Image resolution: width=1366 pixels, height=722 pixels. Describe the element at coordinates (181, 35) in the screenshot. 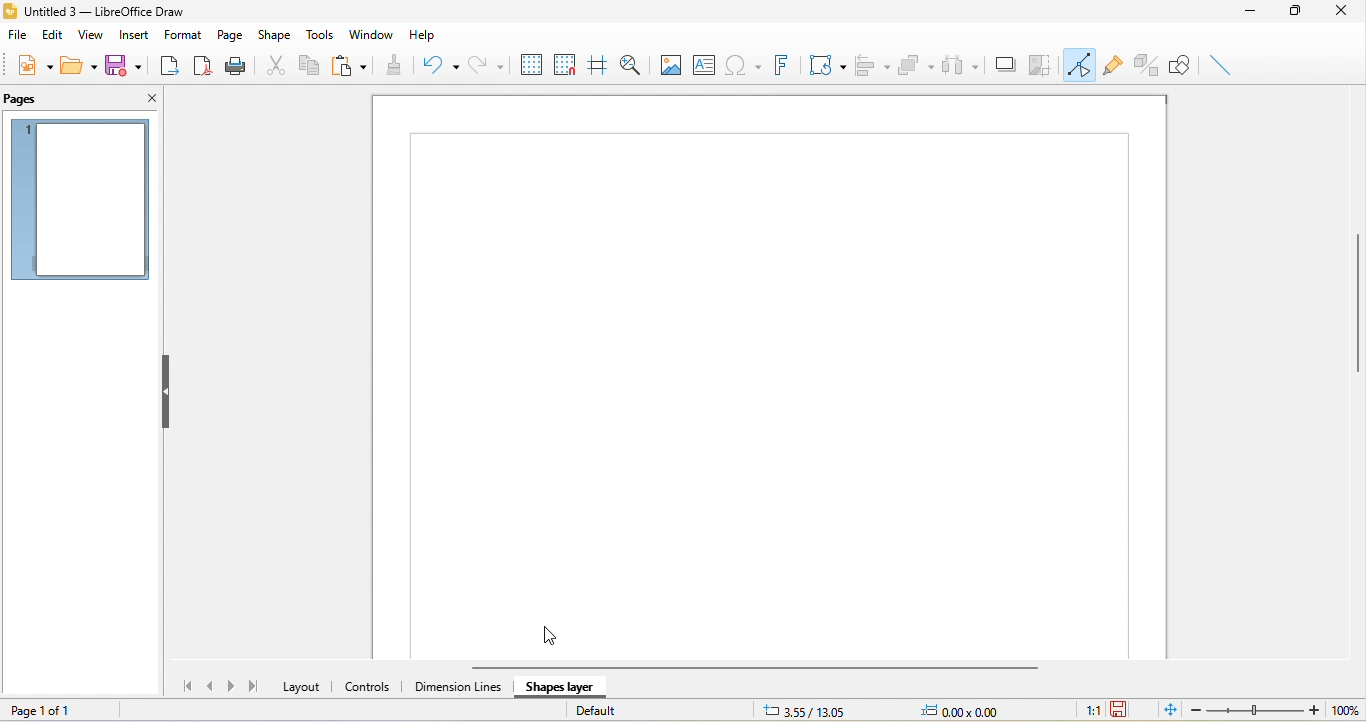

I see `format` at that location.